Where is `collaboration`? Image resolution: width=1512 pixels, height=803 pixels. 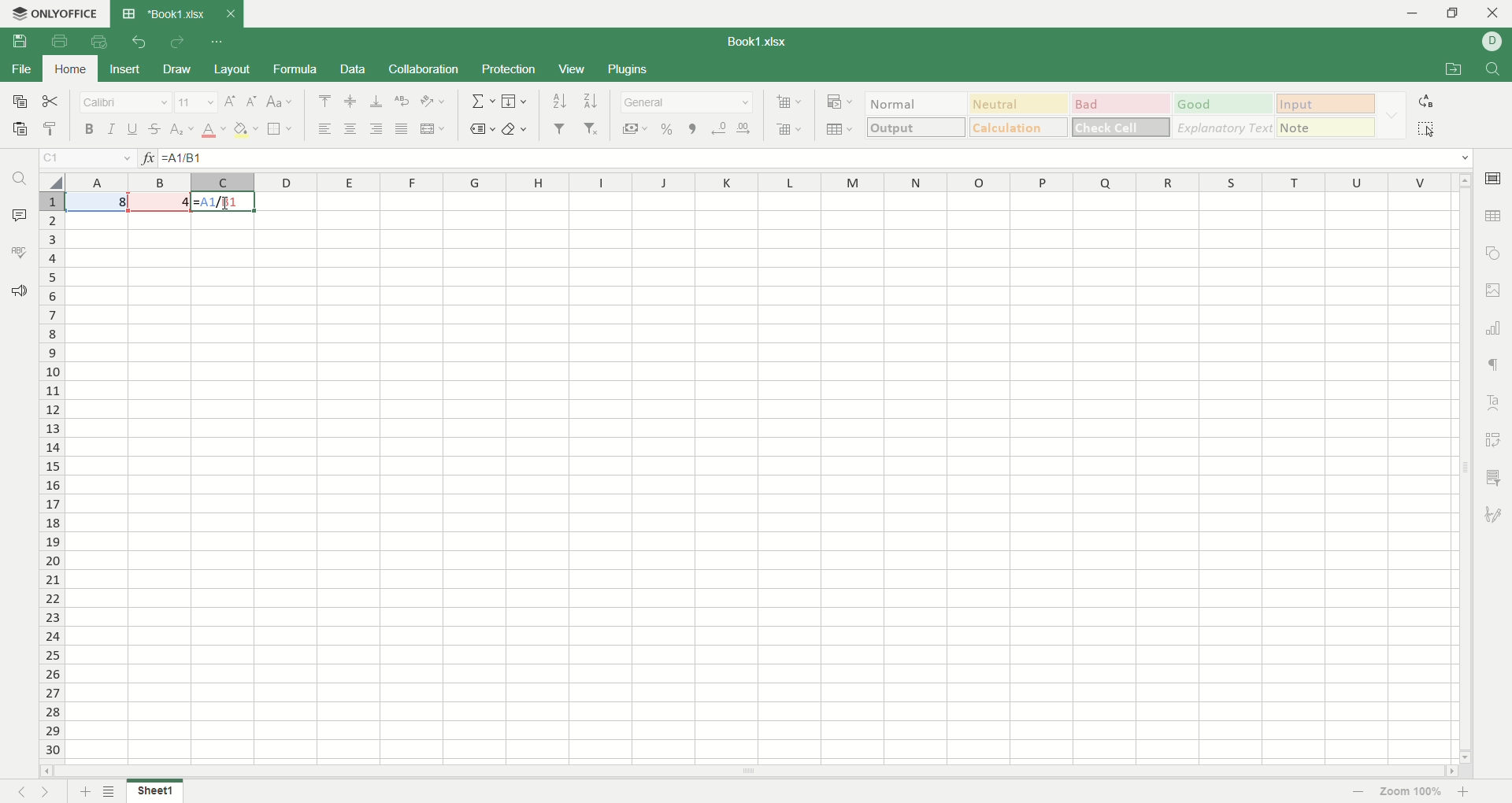 collaboration is located at coordinates (425, 69).